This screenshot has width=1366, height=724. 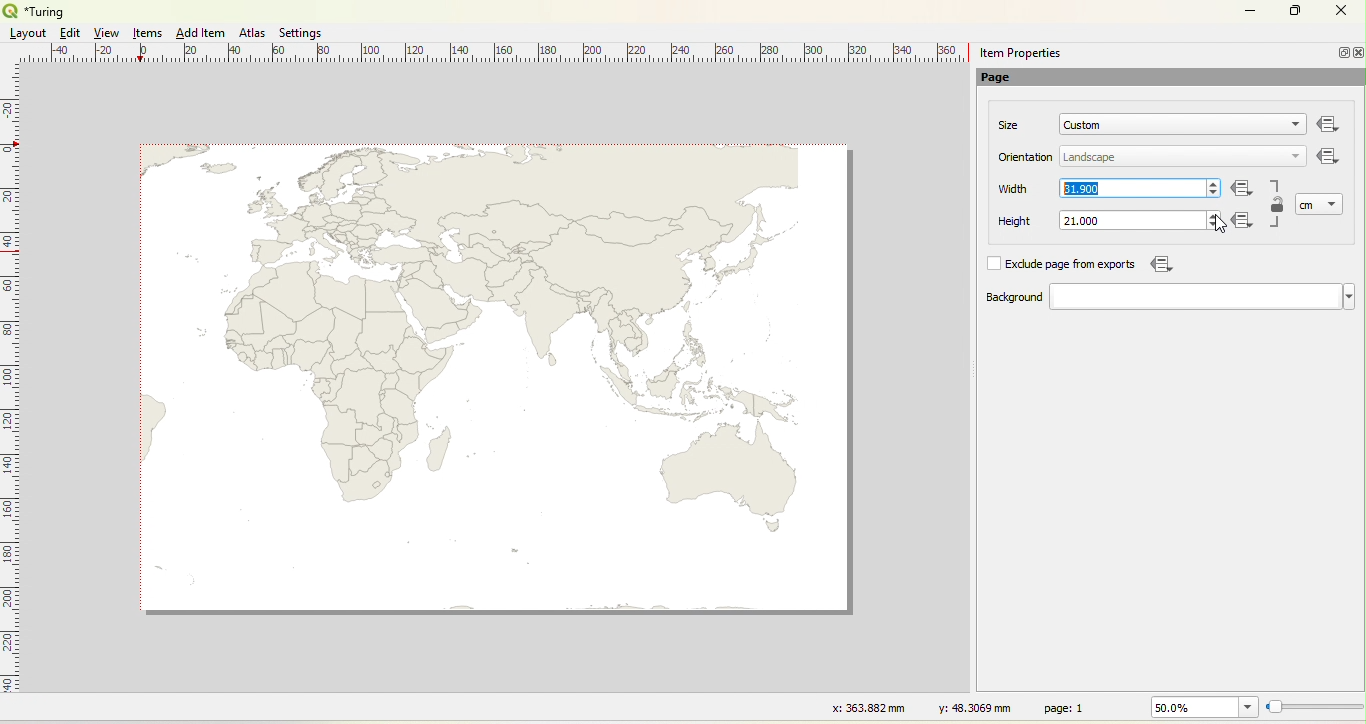 What do you see at coordinates (200, 33) in the screenshot?
I see `Add Item` at bounding box center [200, 33].